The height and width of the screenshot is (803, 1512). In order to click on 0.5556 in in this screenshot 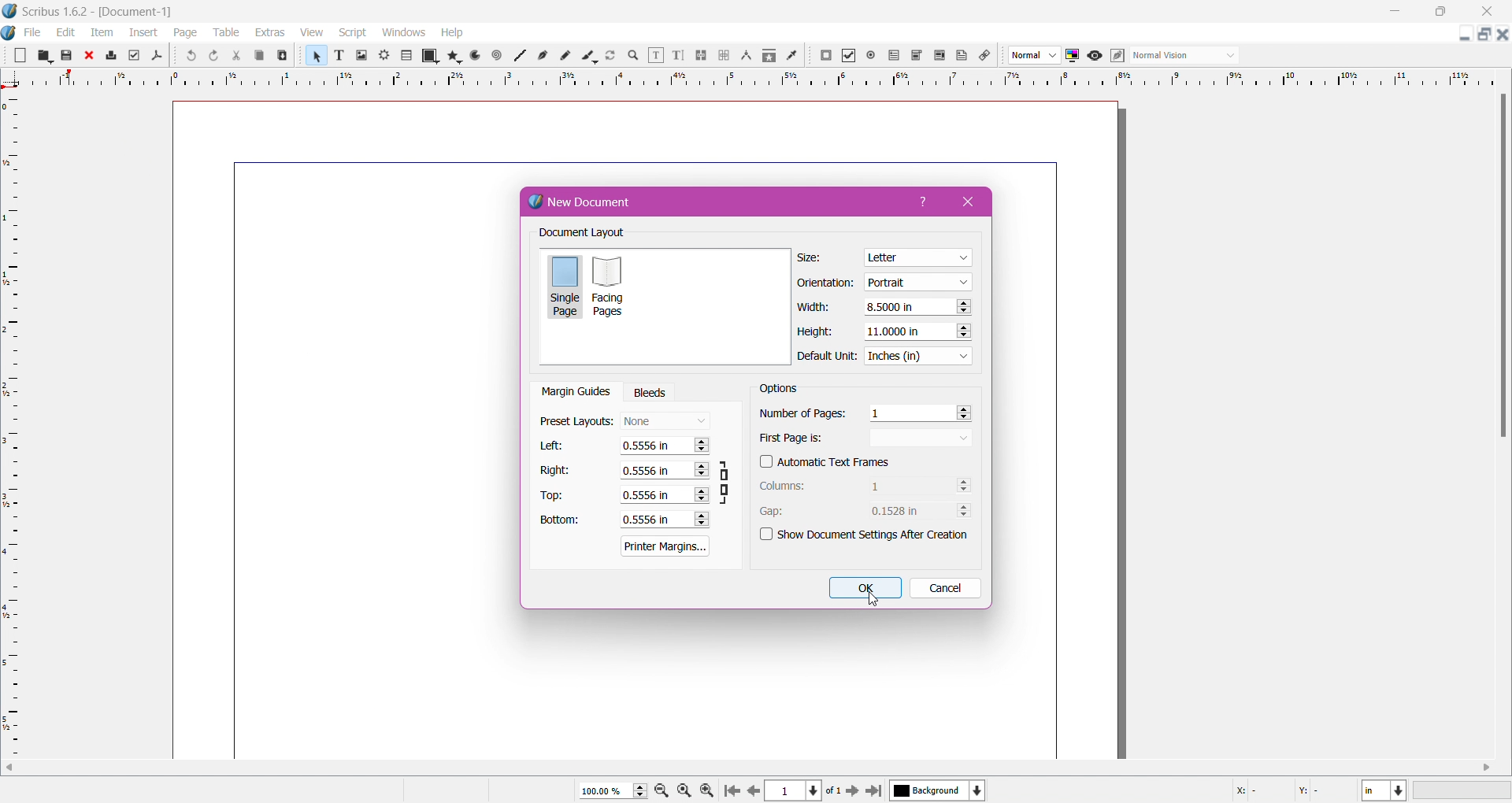, I will do `click(654, 445)`.